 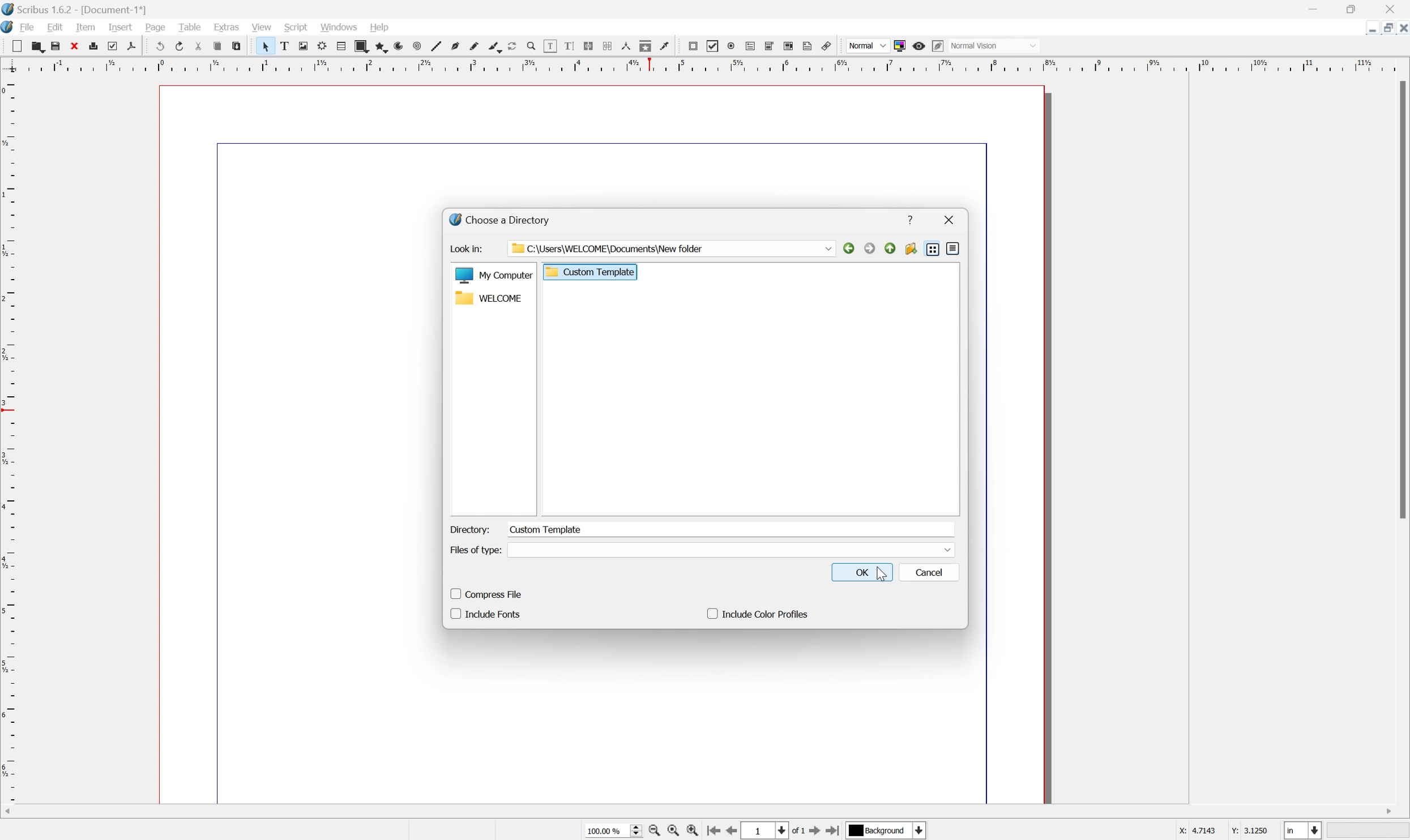 What do you see at coordinates (750, 46) in the screenshot?
I see `PDF text field` at bounding box center [750, 46].